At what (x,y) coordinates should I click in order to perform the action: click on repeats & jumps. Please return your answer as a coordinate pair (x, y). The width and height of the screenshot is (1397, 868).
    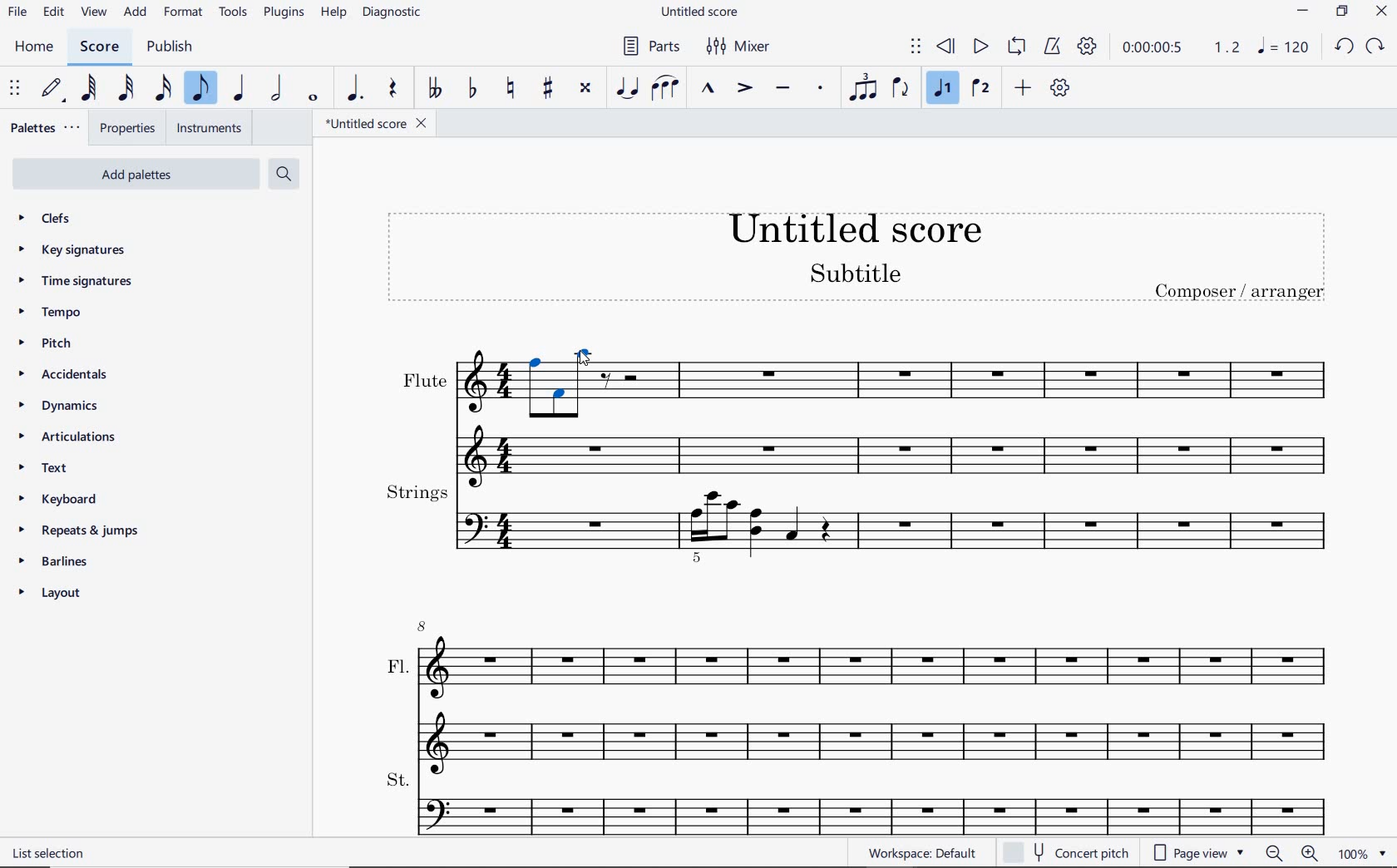
    Looking at the image, I should click on (76, 530).